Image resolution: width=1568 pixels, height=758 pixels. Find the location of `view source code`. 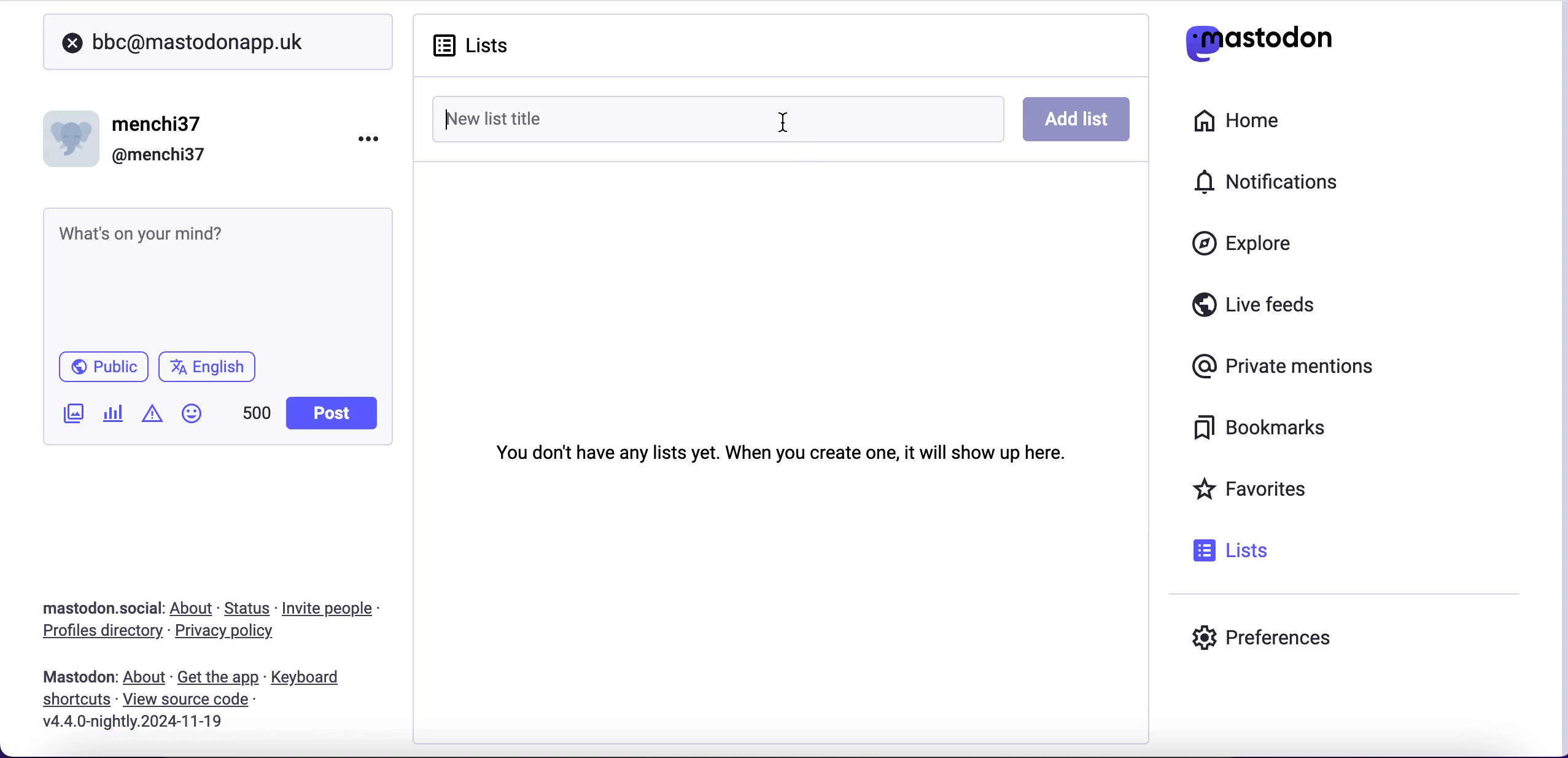

view source code is located at coordinates (190, 700).